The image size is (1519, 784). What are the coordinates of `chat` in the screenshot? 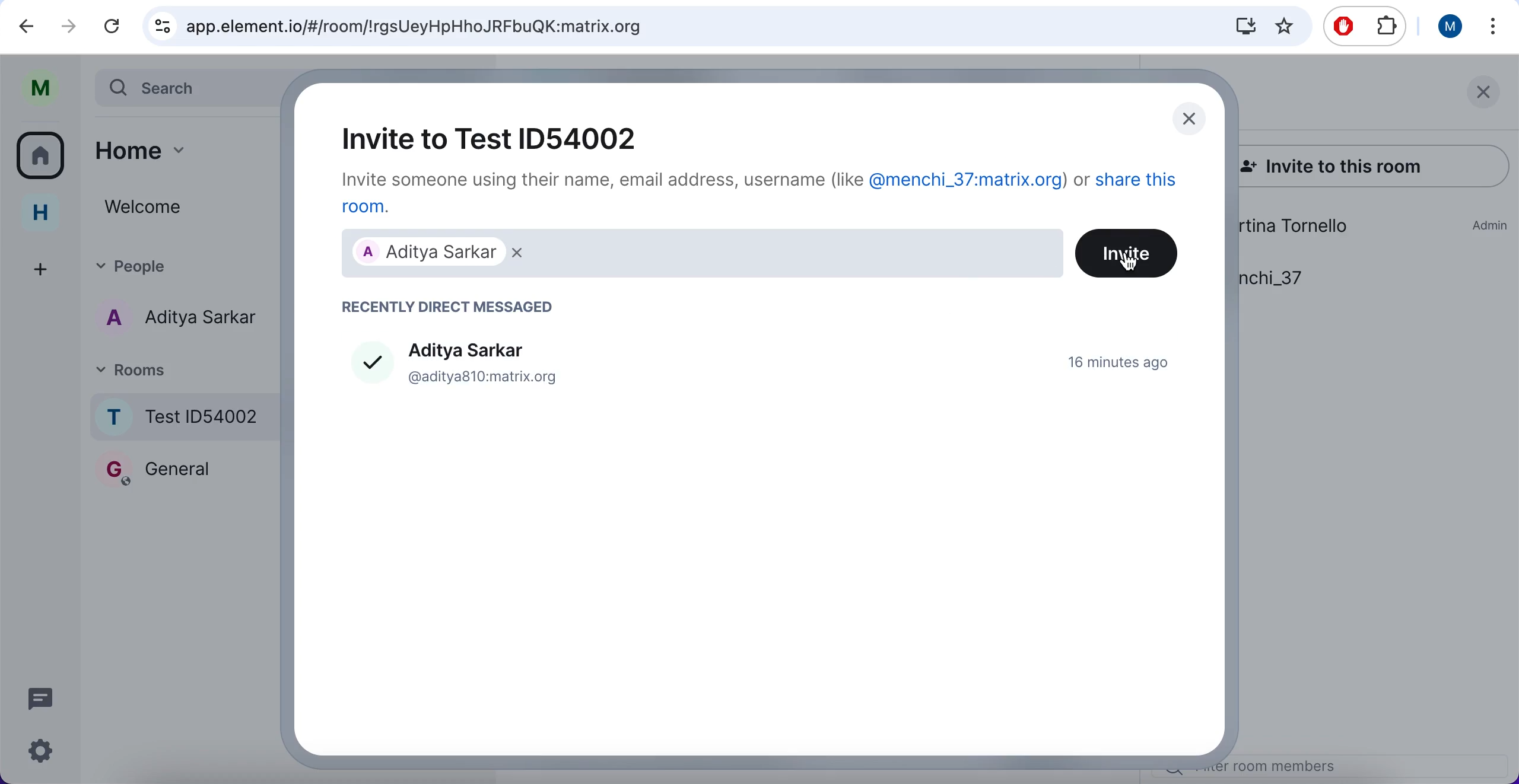 It's located at (46, 697).